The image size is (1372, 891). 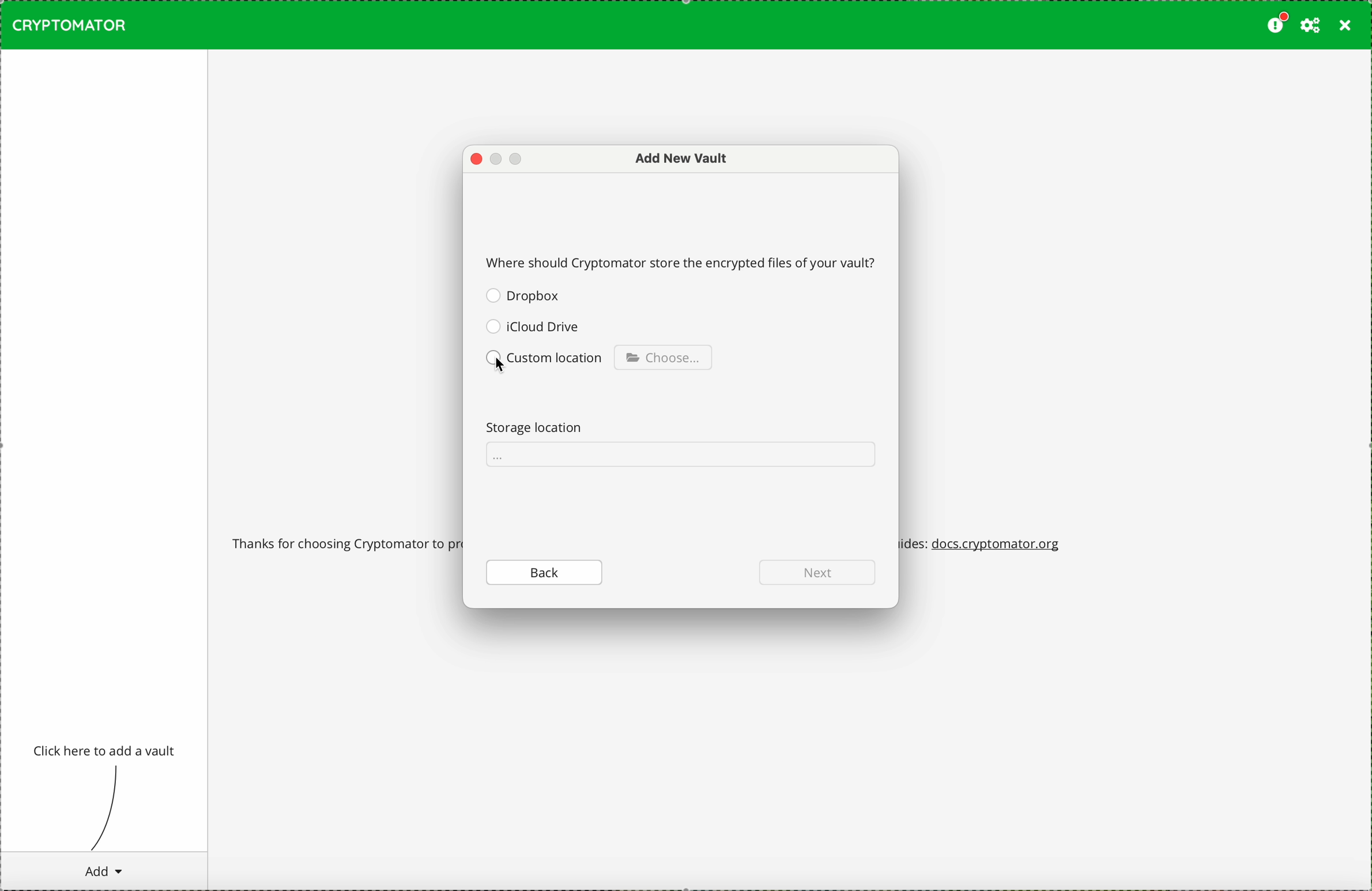 What do you see at coordinates (663, 356) in the screenshot?
I see `choose folder` at bounding box center [663, 356].